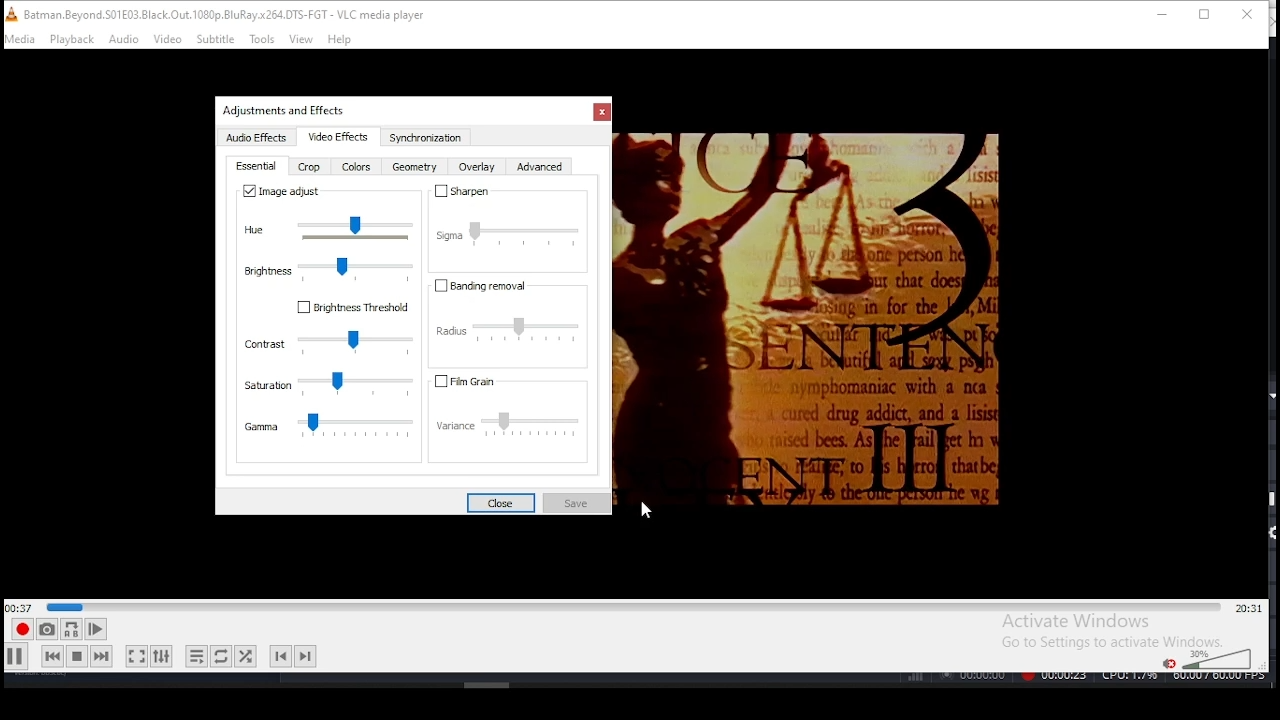  What do you see at coordinates (330, 428) in the screenshot?
I see `gamma` at bounding box center [330, 428].